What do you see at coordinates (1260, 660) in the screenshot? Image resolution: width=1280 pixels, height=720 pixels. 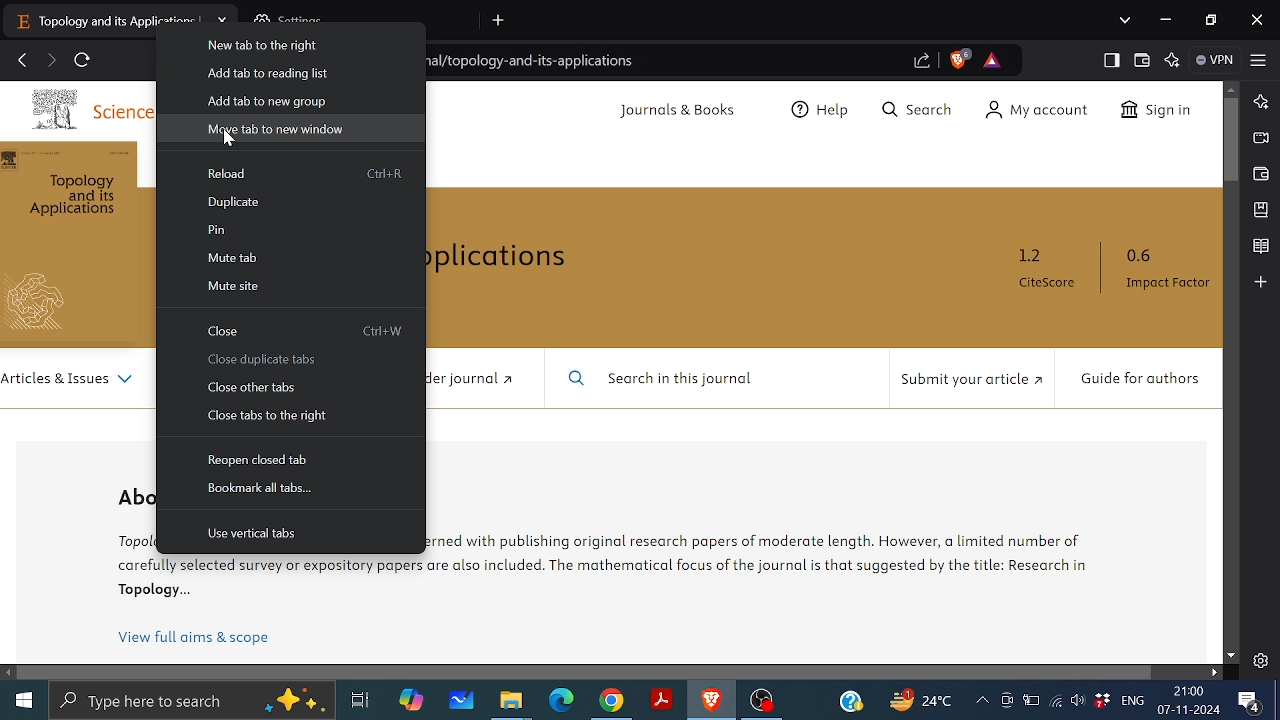 I see `Settings` at bounding box center [1260, 660].